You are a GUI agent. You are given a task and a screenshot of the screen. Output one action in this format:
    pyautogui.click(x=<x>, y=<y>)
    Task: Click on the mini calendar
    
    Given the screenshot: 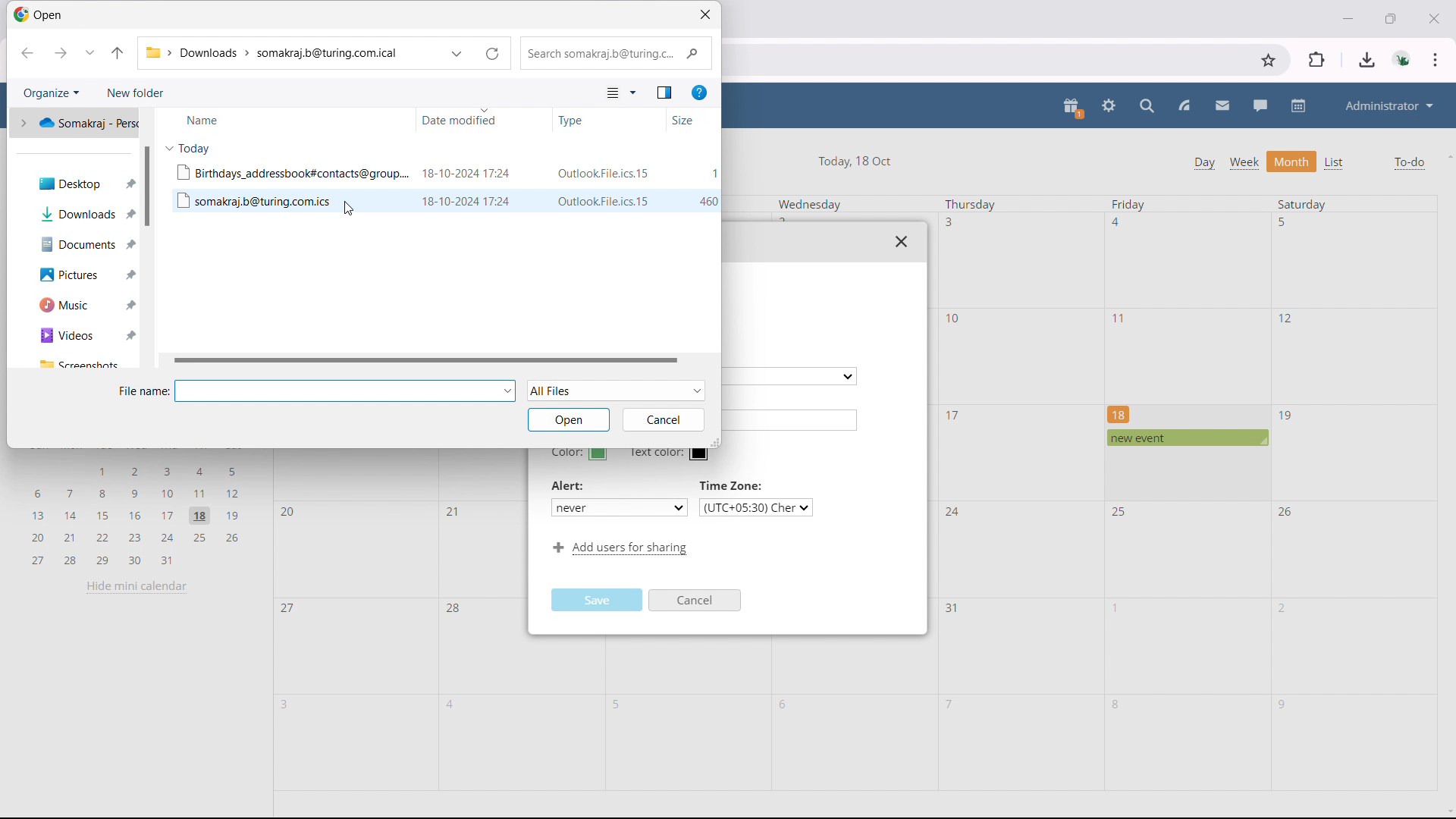 What is the action you would take?
    pyautogui.click(x=136, y=513)
    